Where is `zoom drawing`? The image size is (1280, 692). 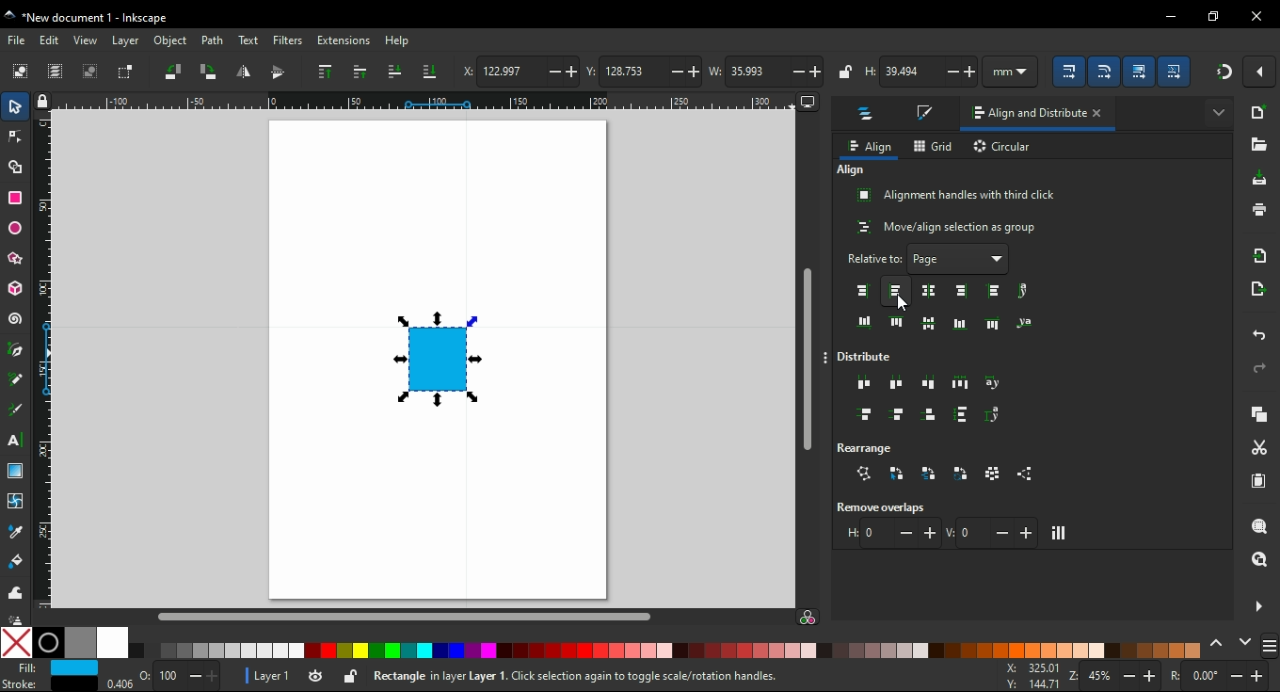 zoom drawing is located at coordinates (1261, 557).